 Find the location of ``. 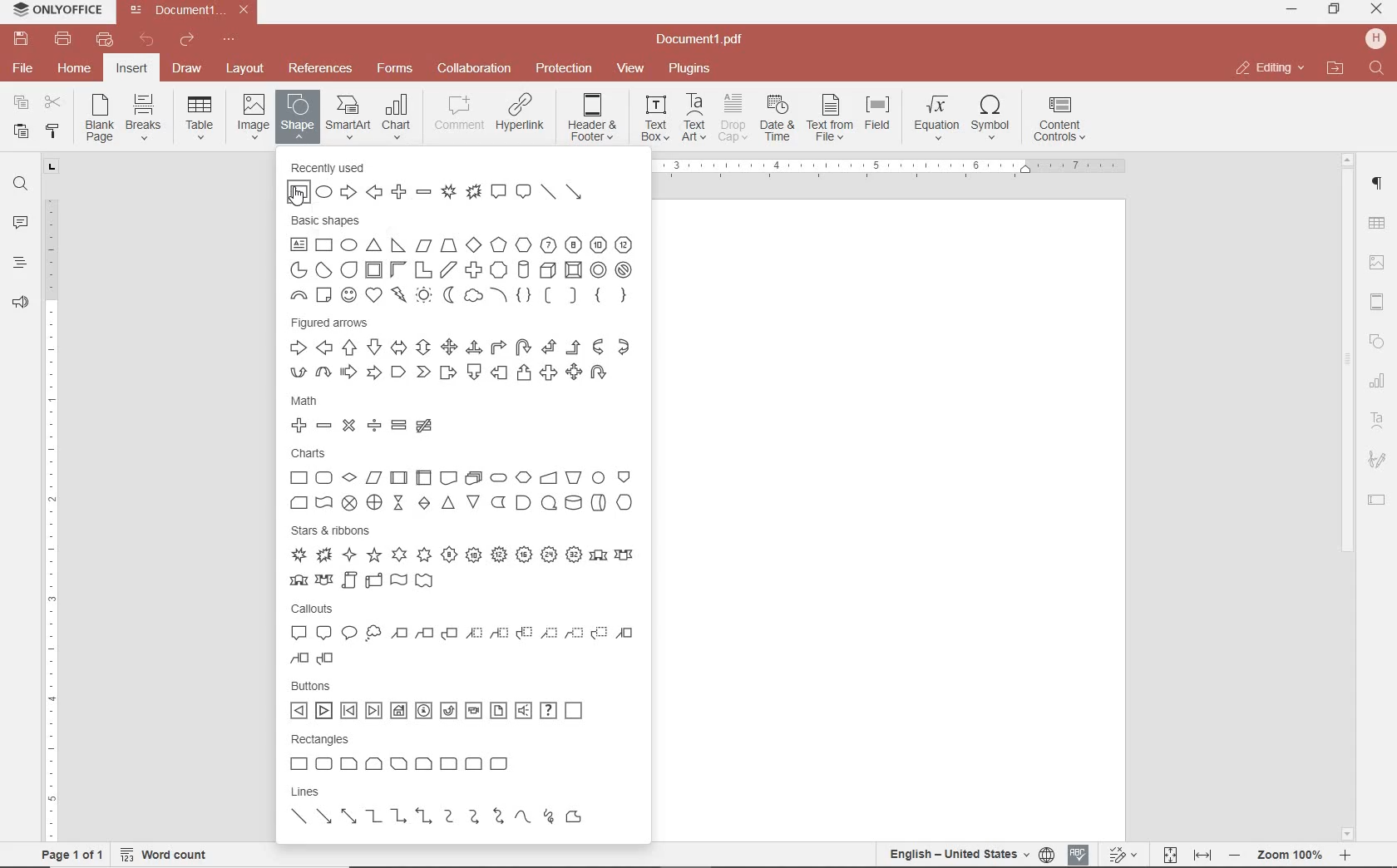

 is located at coordinates (894, 169).